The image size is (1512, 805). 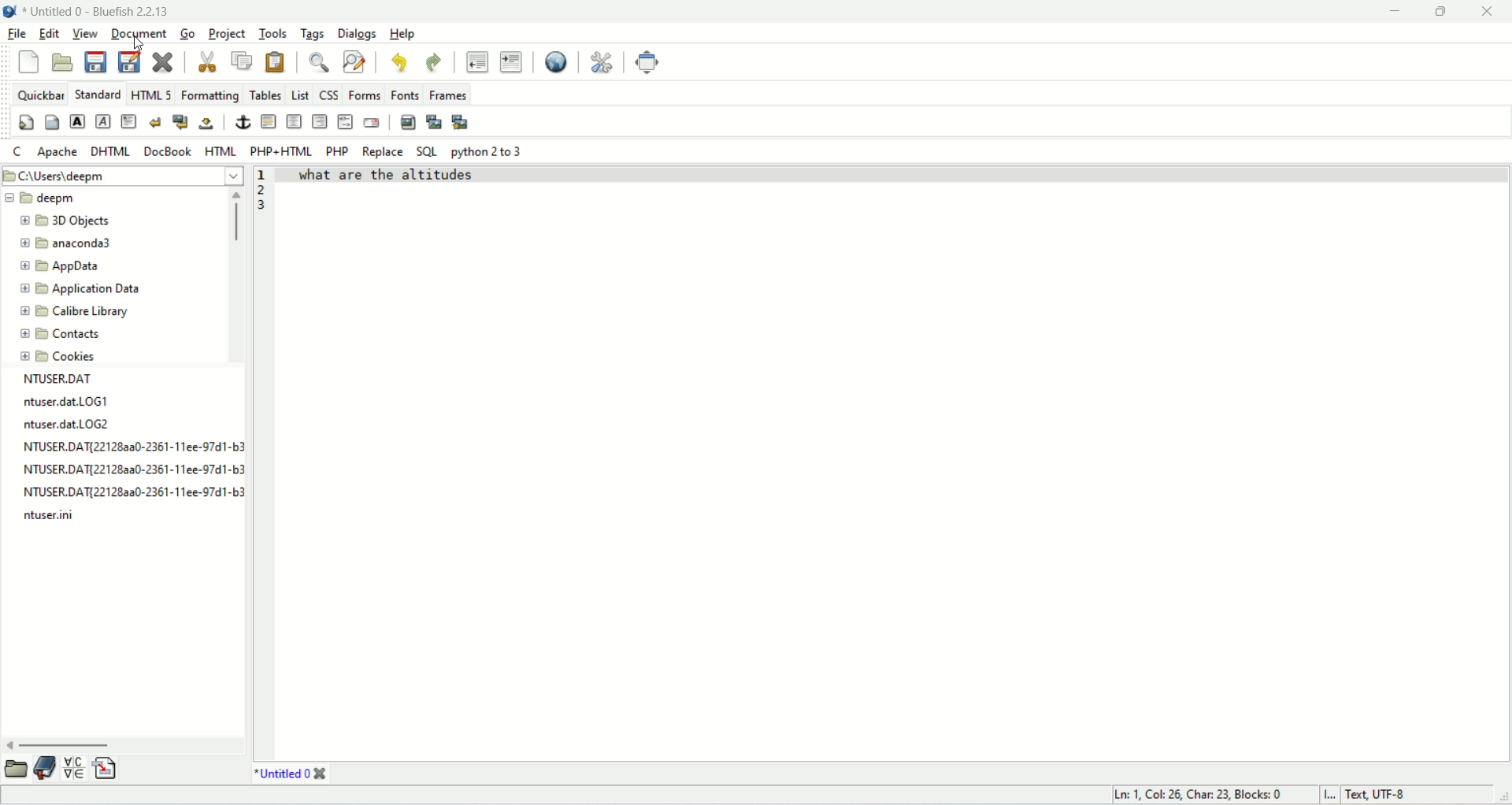 What do you see at coordinates (463, 121) in the screenshot?
I see `multi thumbnail` at bounding box center [463, 121].